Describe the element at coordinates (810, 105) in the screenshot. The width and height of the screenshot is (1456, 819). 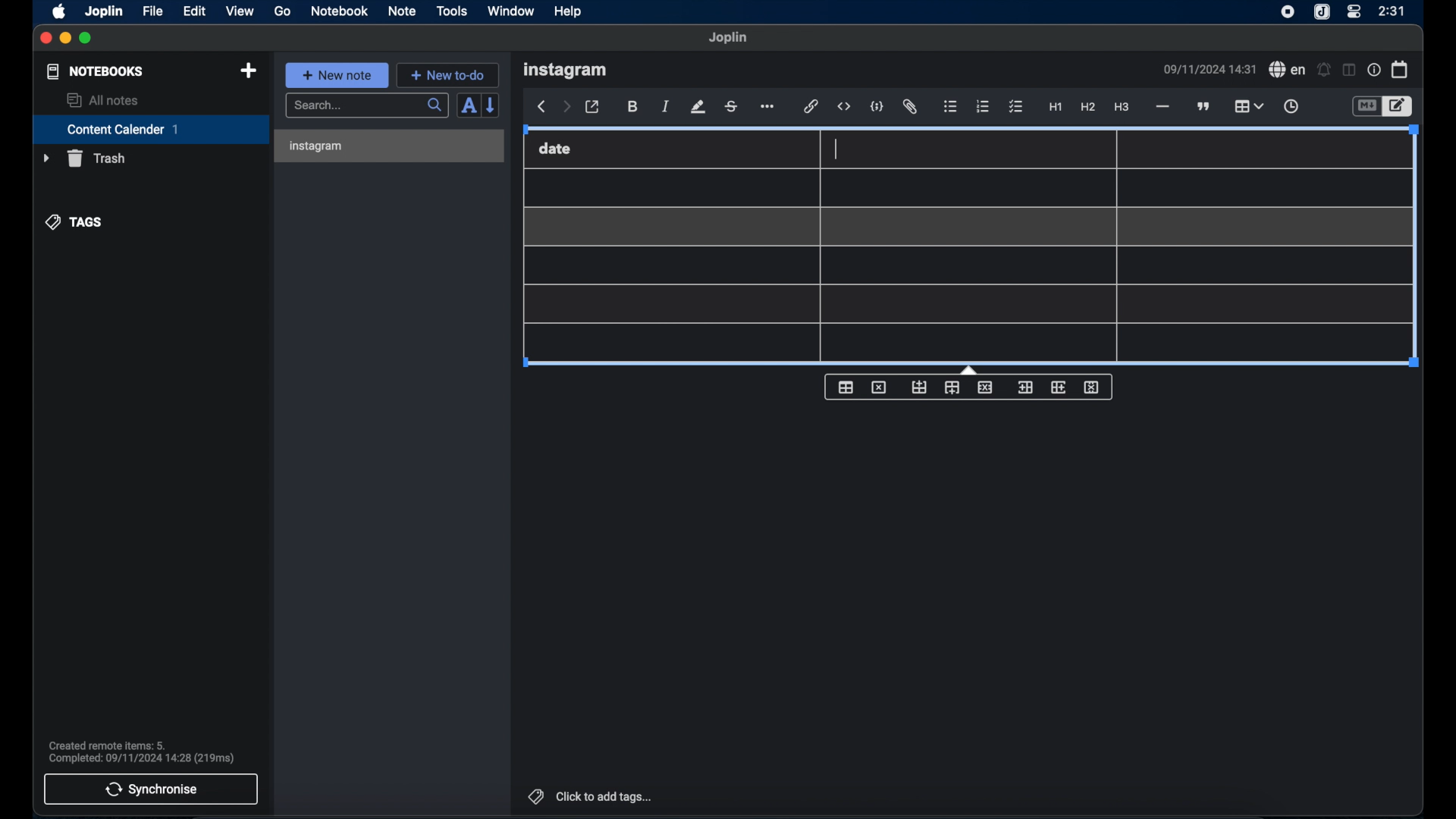
I see `hyperlink` at that location.